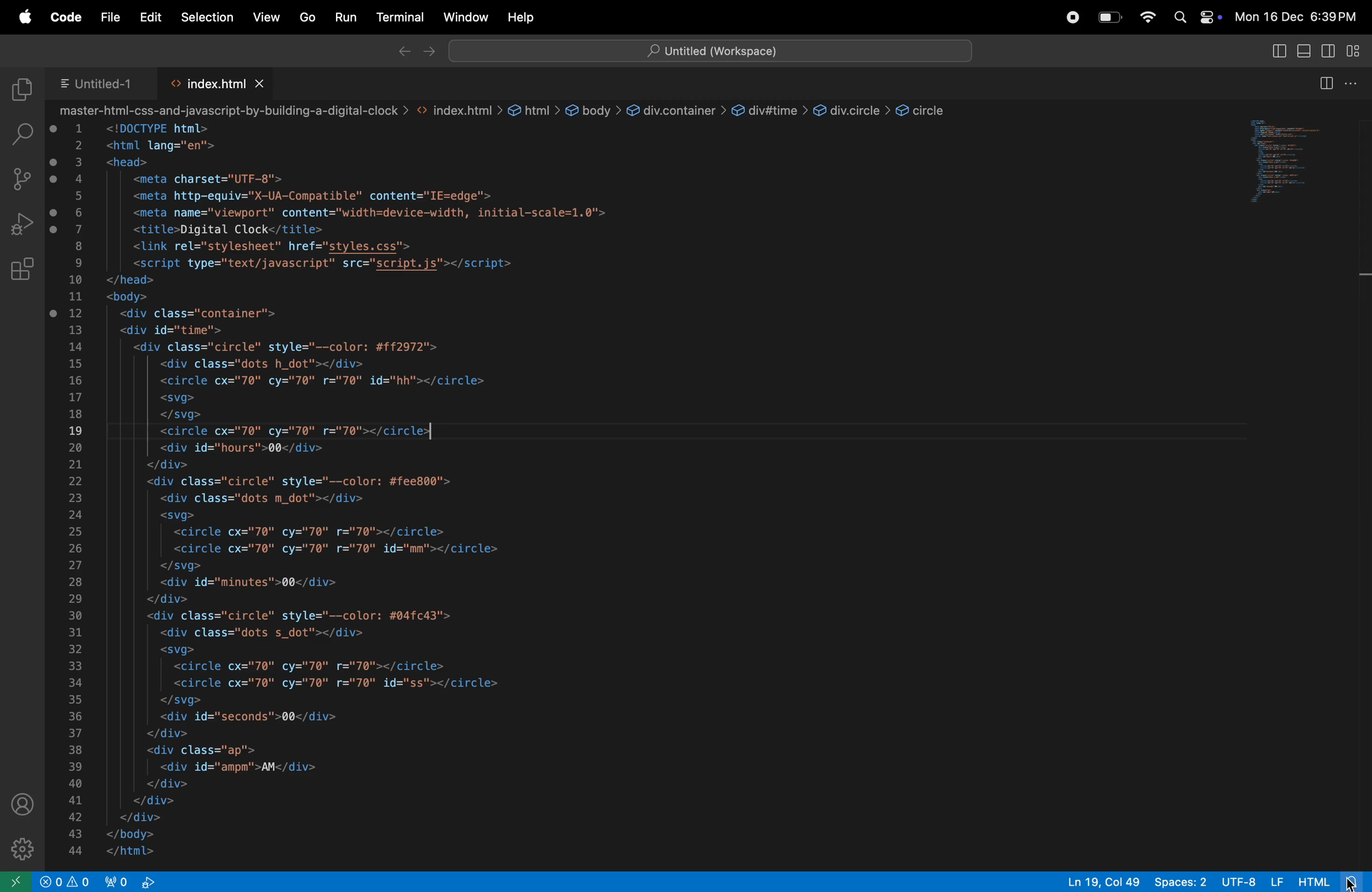 The image size is (1372, 892). I want to click on extensions, so click(27, 848).